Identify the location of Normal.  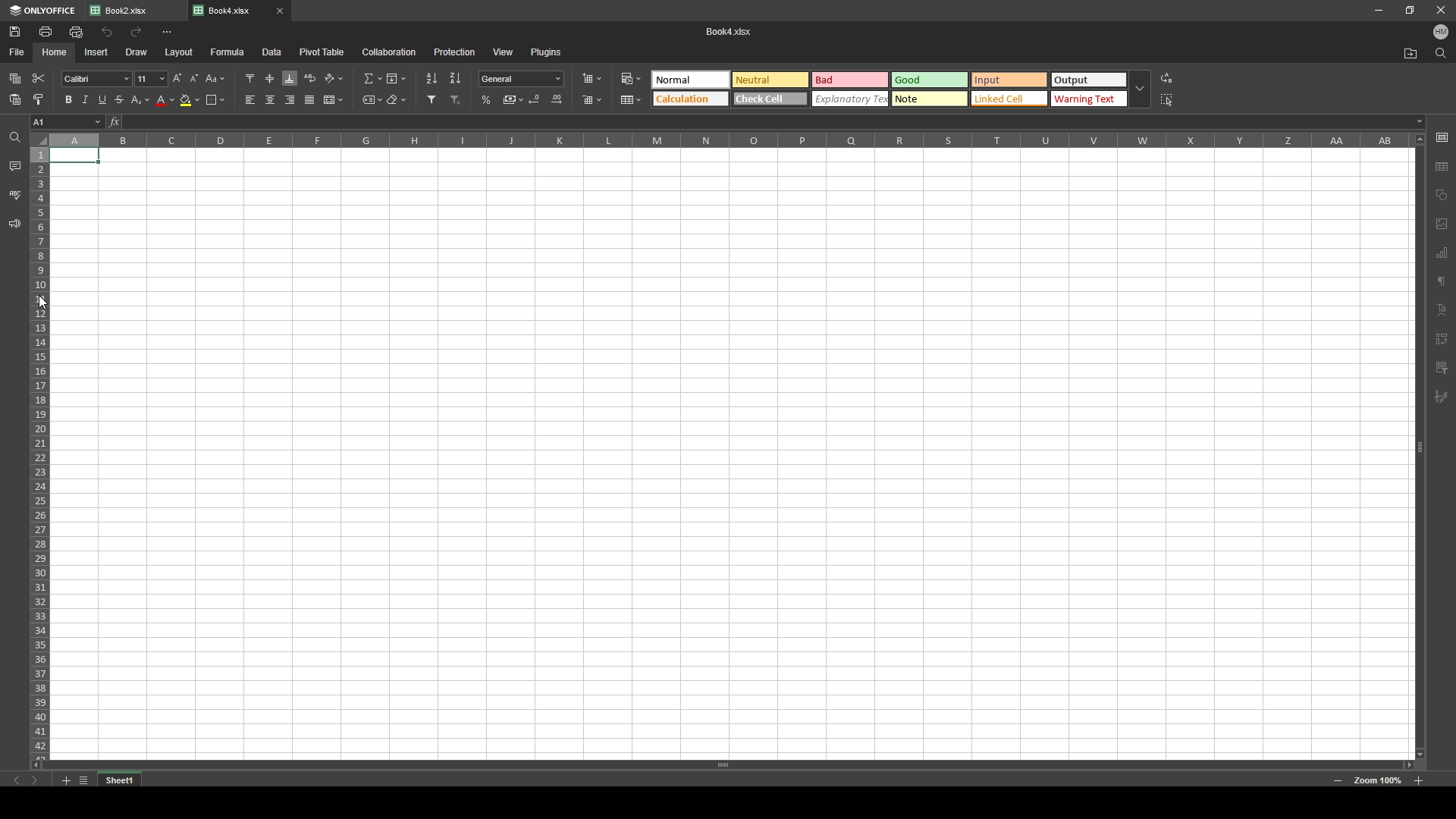
(692, 80).